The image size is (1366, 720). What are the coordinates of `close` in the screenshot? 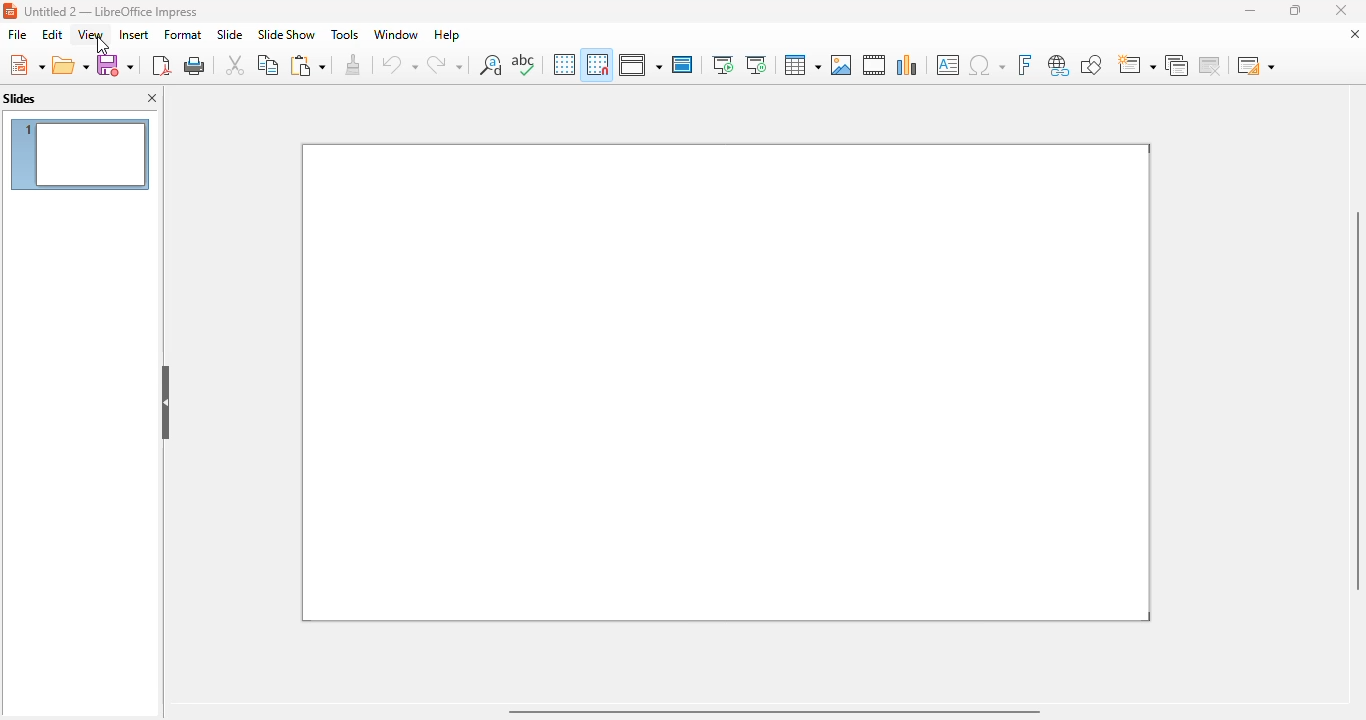 It's located at (1341, 10).